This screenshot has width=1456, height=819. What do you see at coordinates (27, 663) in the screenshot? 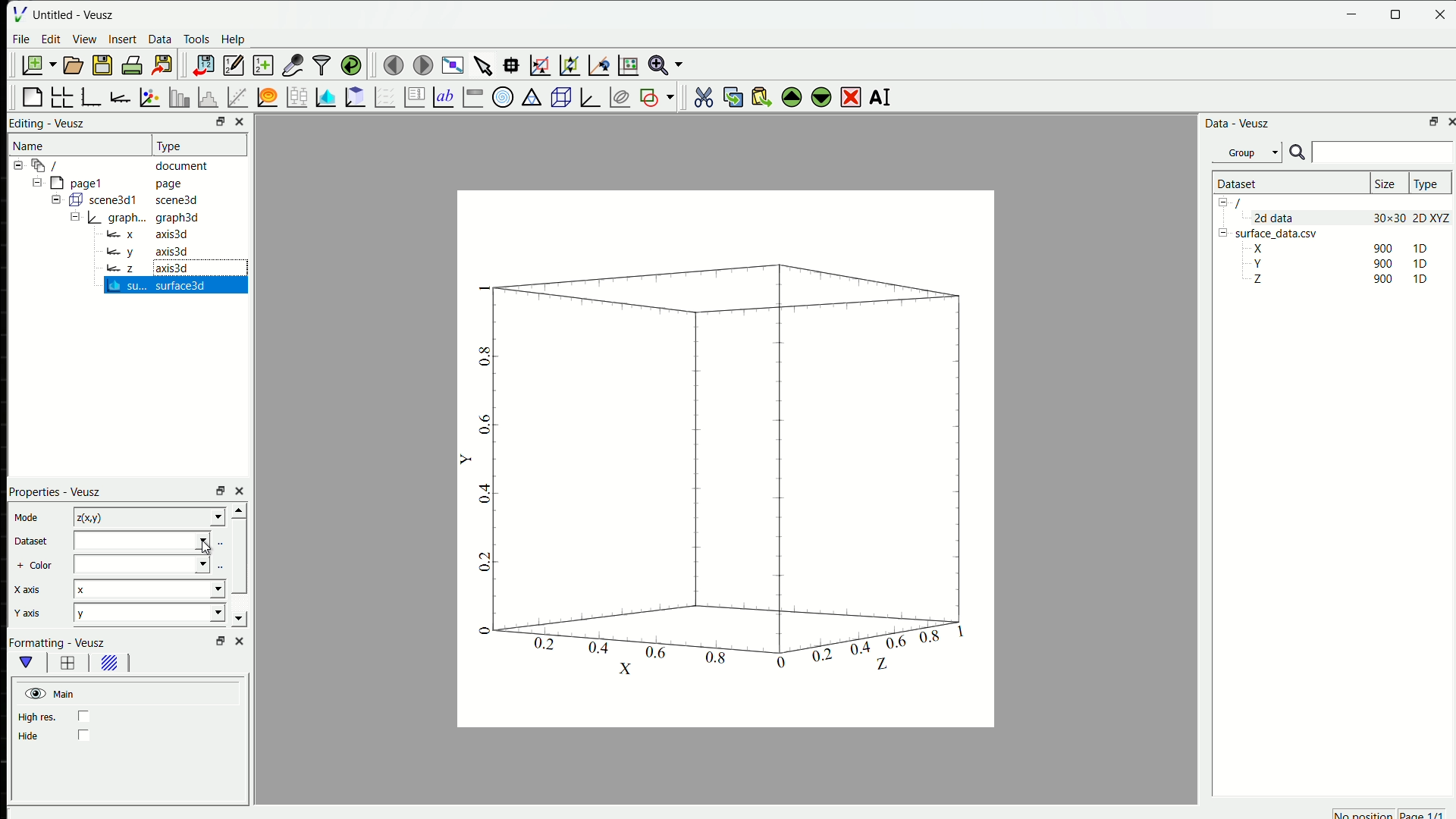
I see `main formatting ` at bounding box center [27, 663].